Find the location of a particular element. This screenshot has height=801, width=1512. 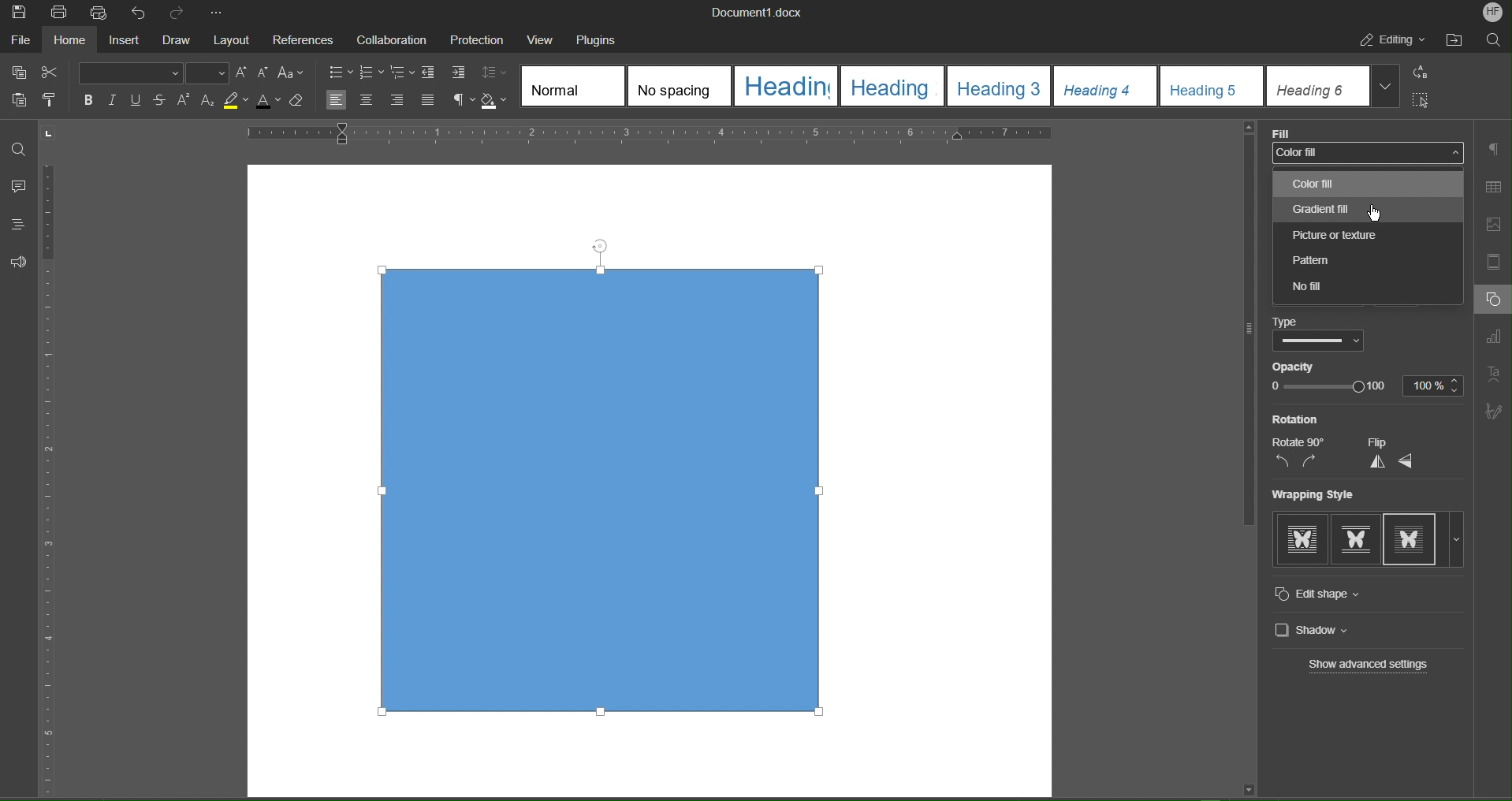

Line spacing is located at coordinates (496, 72).